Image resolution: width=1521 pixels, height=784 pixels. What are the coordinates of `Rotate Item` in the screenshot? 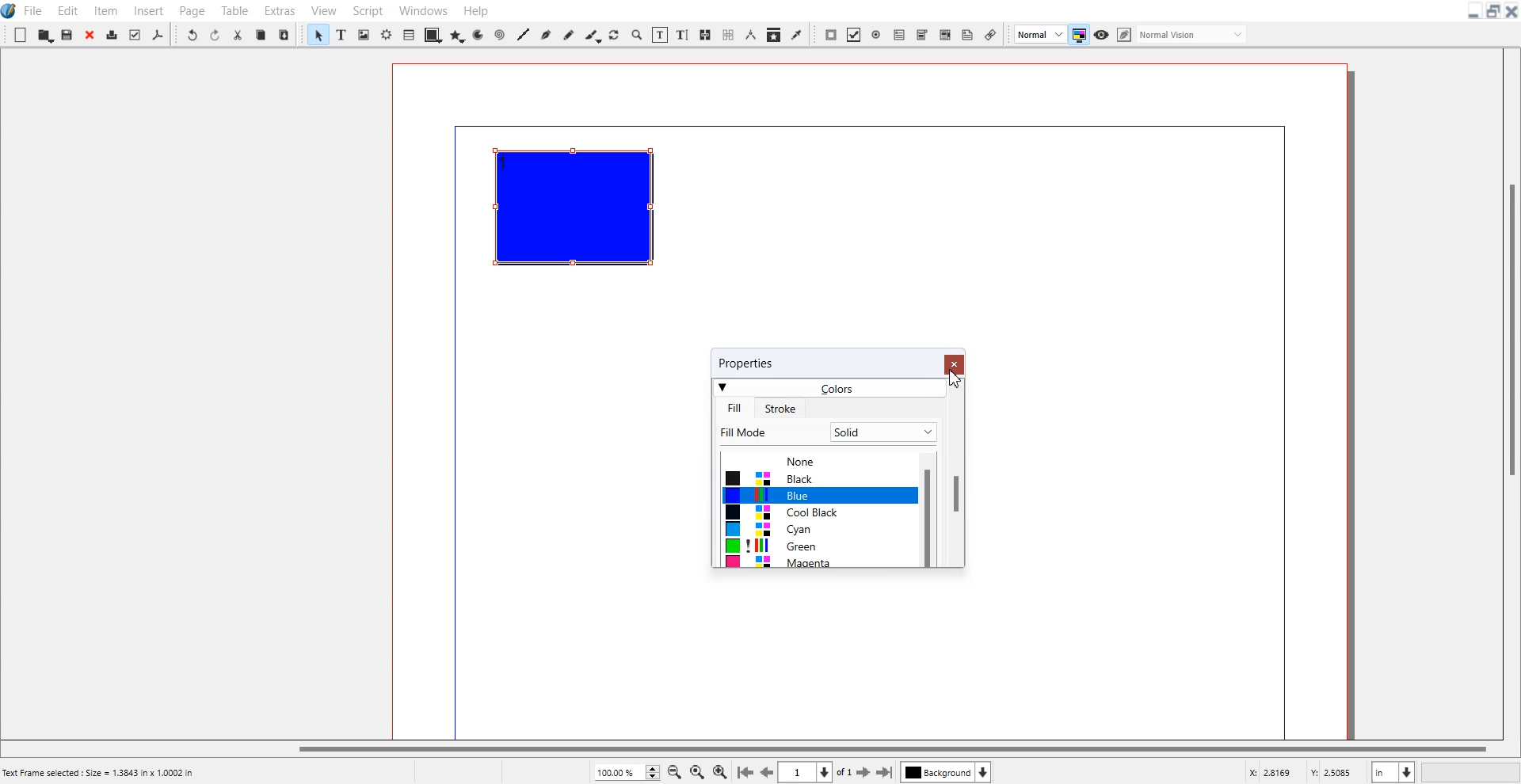 It's located at (613, 35).